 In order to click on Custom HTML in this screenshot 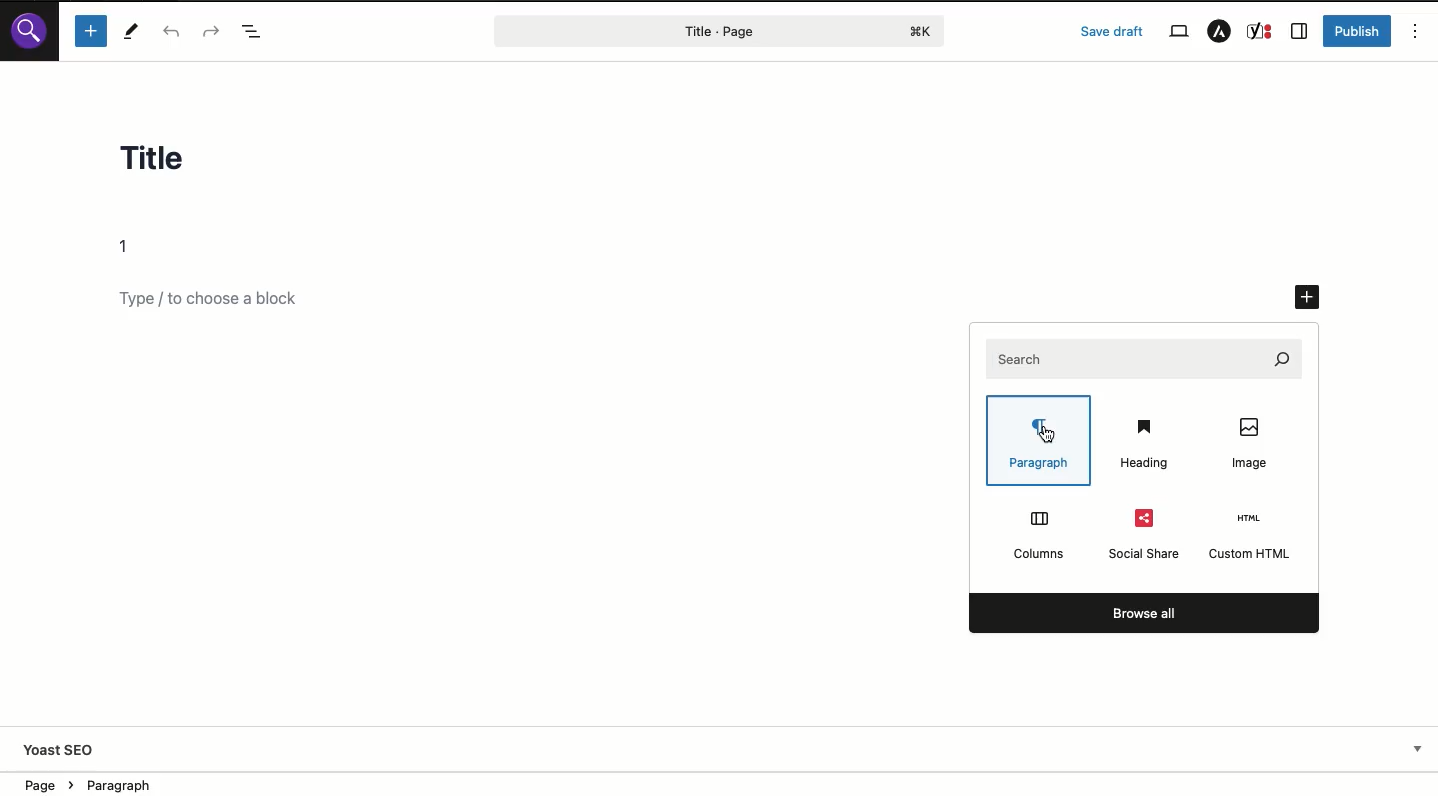, I will do `click(1252, 536)`.